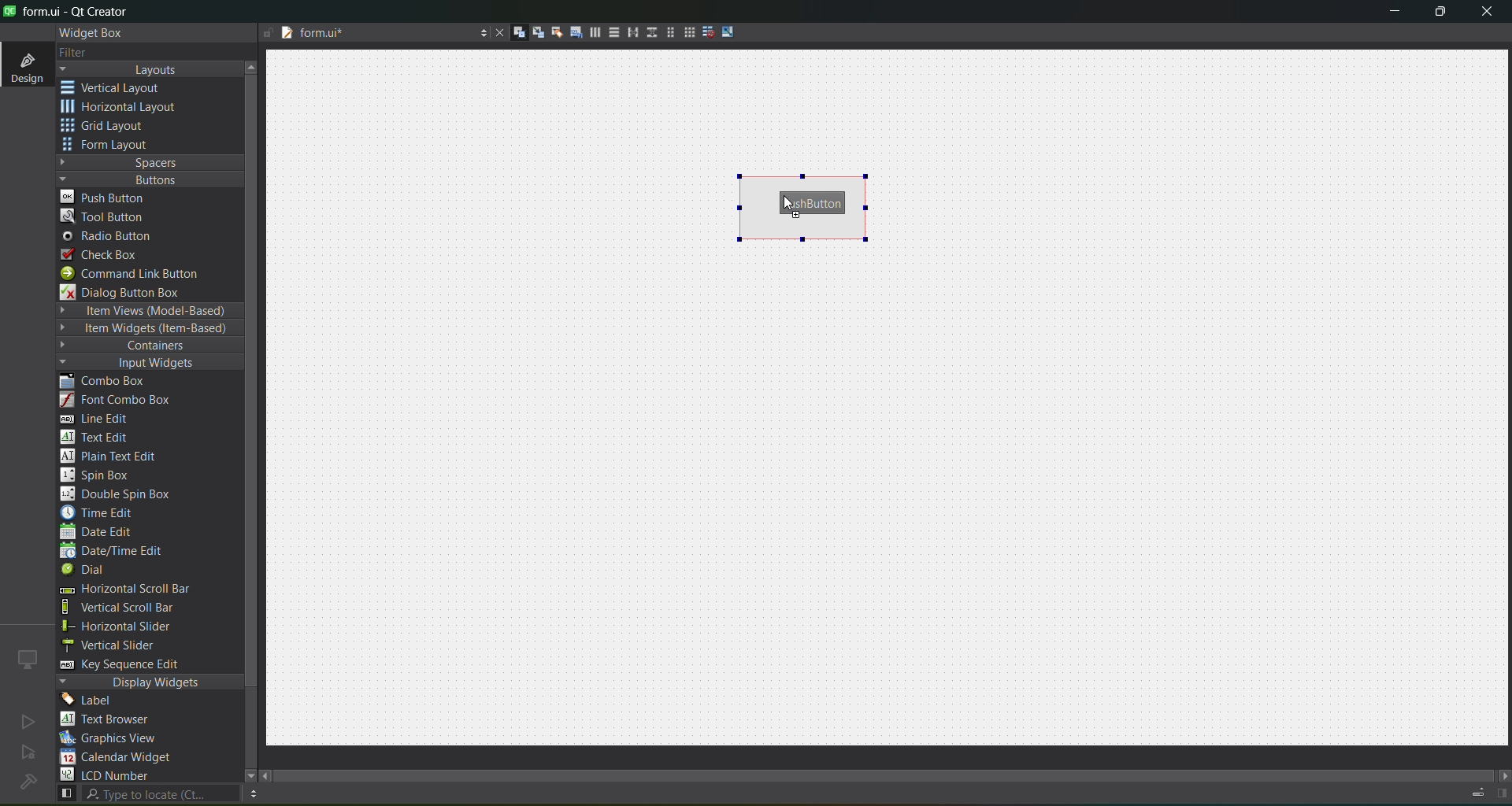  Describe the element at coordinates (243, 774) in the screenshot. I see `move down` at that location.